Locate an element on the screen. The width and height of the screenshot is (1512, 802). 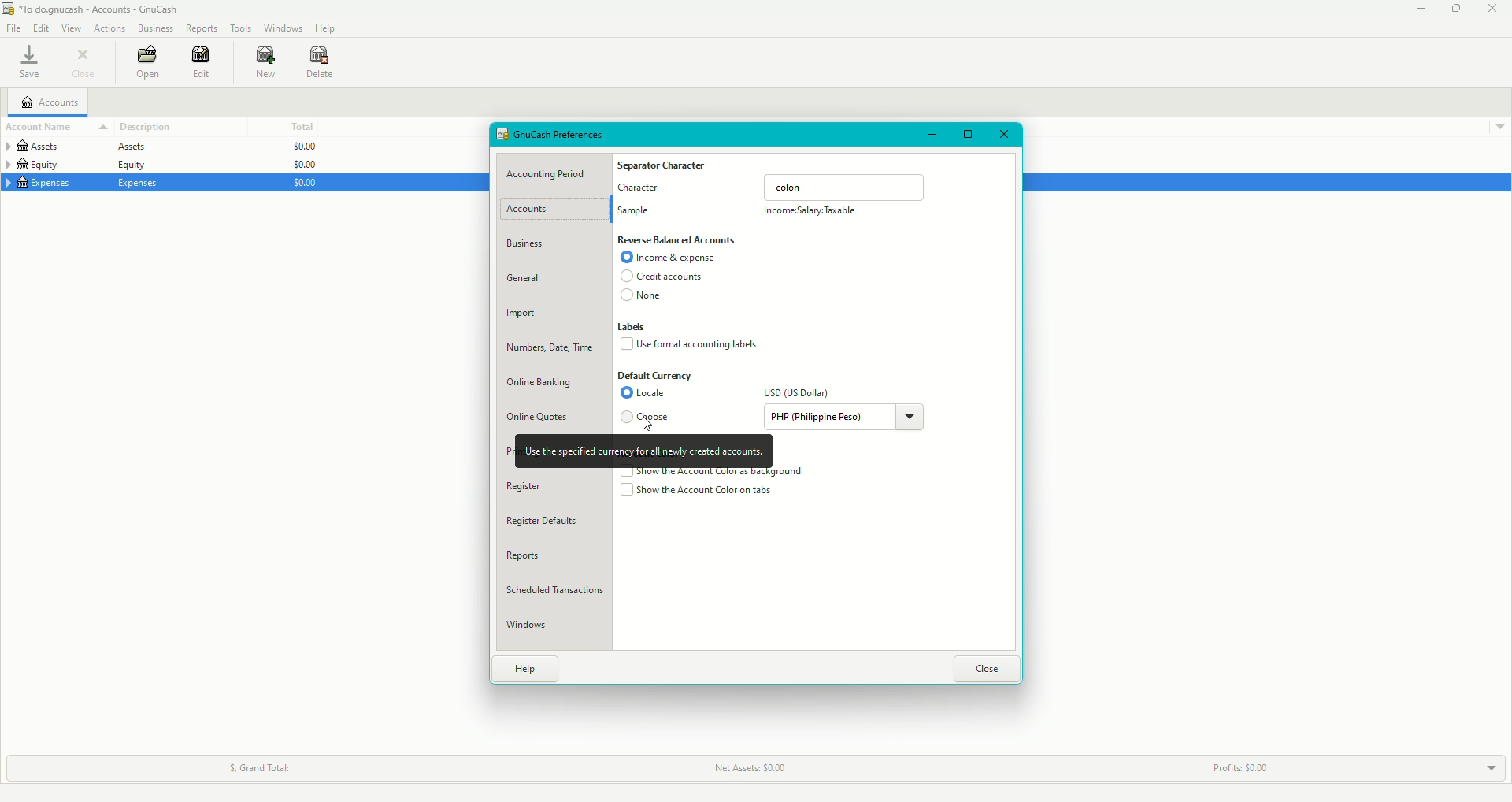
Preferences is located at coordinates (554, 133).